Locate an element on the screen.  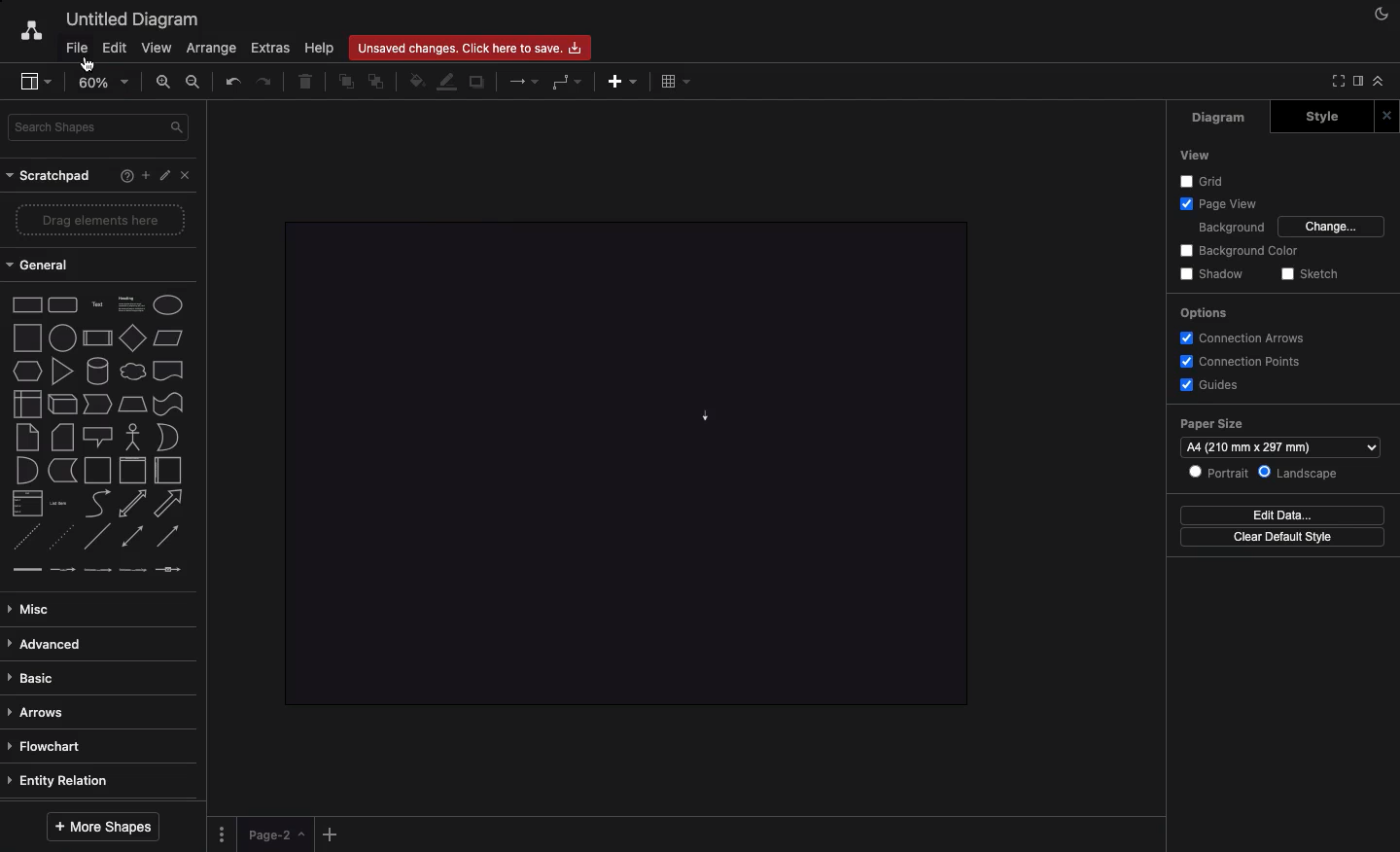
Page view is located at coordinates (1215, 202).